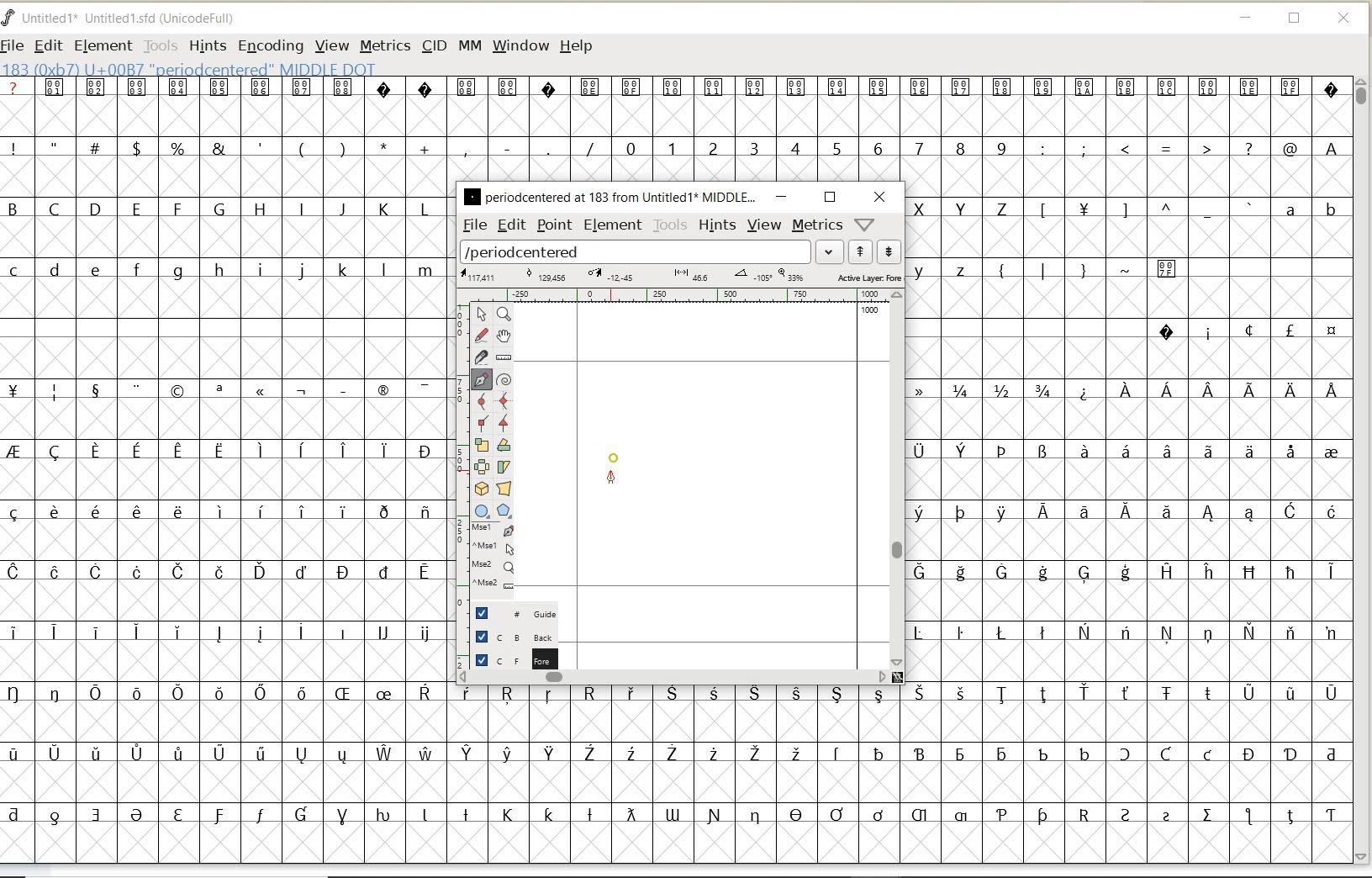 This screenshot has height=878, width=1372. What do you see at coordinates (1345, 19) in the screenshot?
I see `CLOSE` at bounding box center [1345, 19].